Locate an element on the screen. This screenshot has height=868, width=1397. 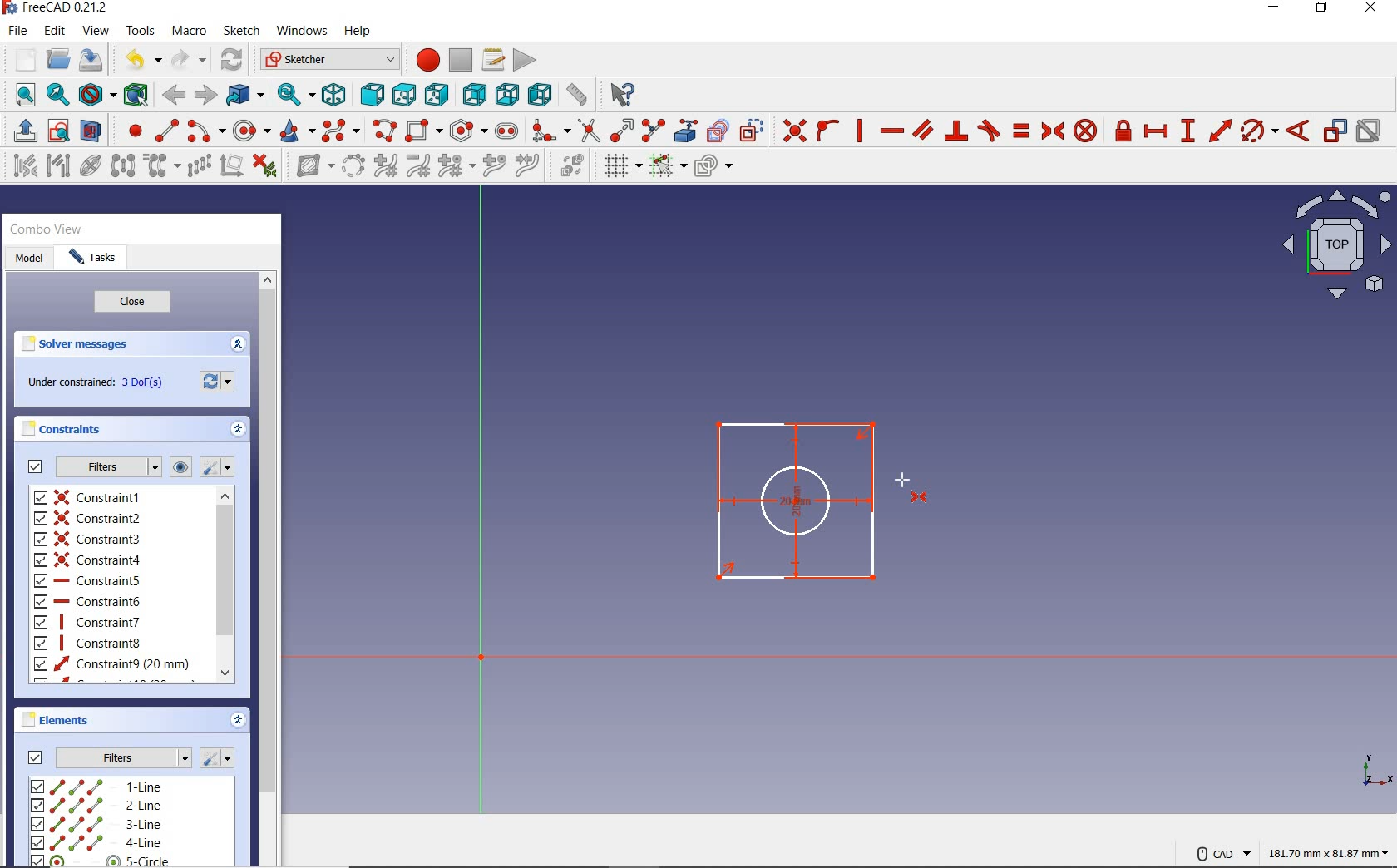
file is located at coordinates (17, 31).